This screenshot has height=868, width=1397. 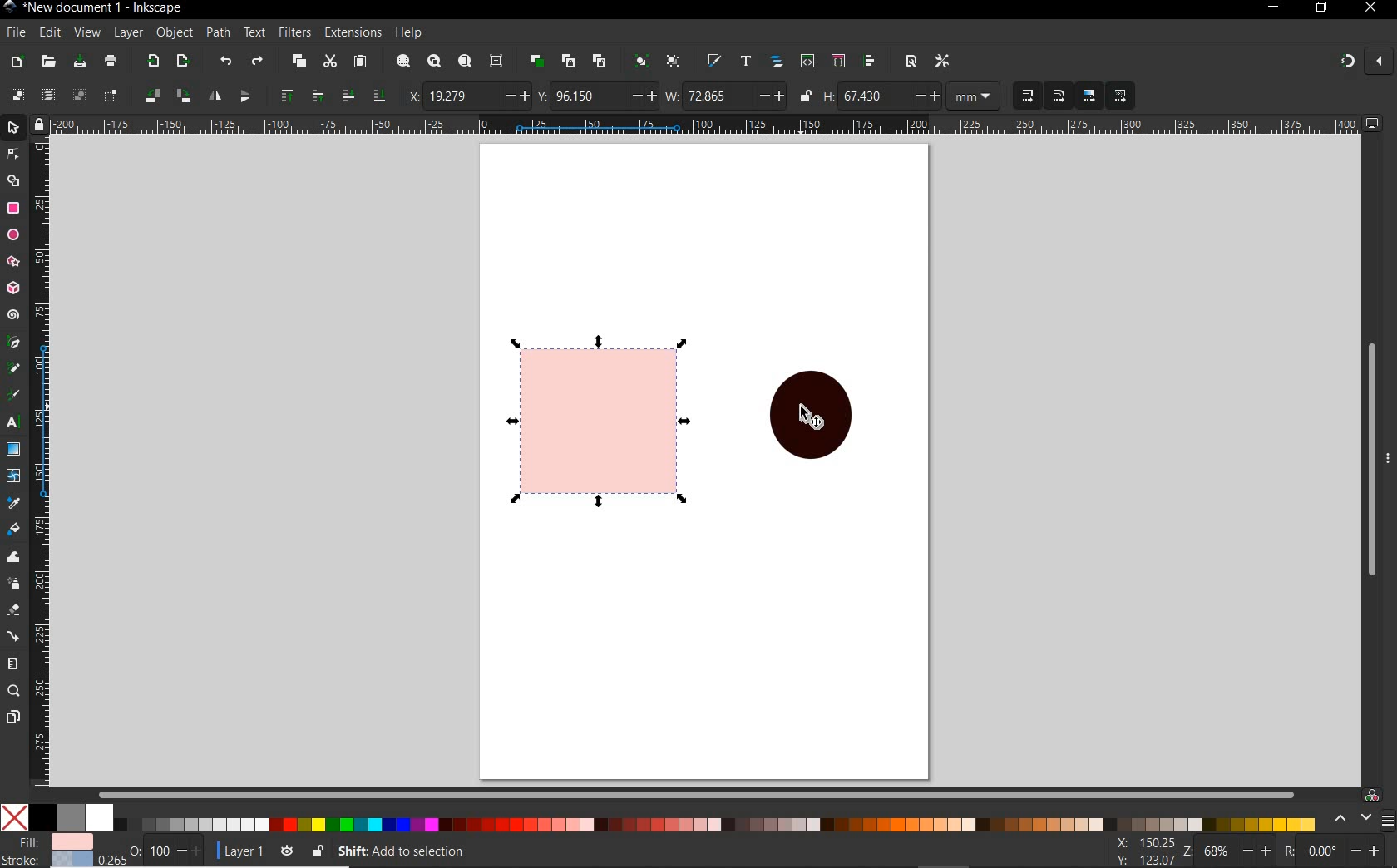 What do you see at coordinates (12, 664) in the screenshot?
I see `measure tool` at bounding box center [12, 664].